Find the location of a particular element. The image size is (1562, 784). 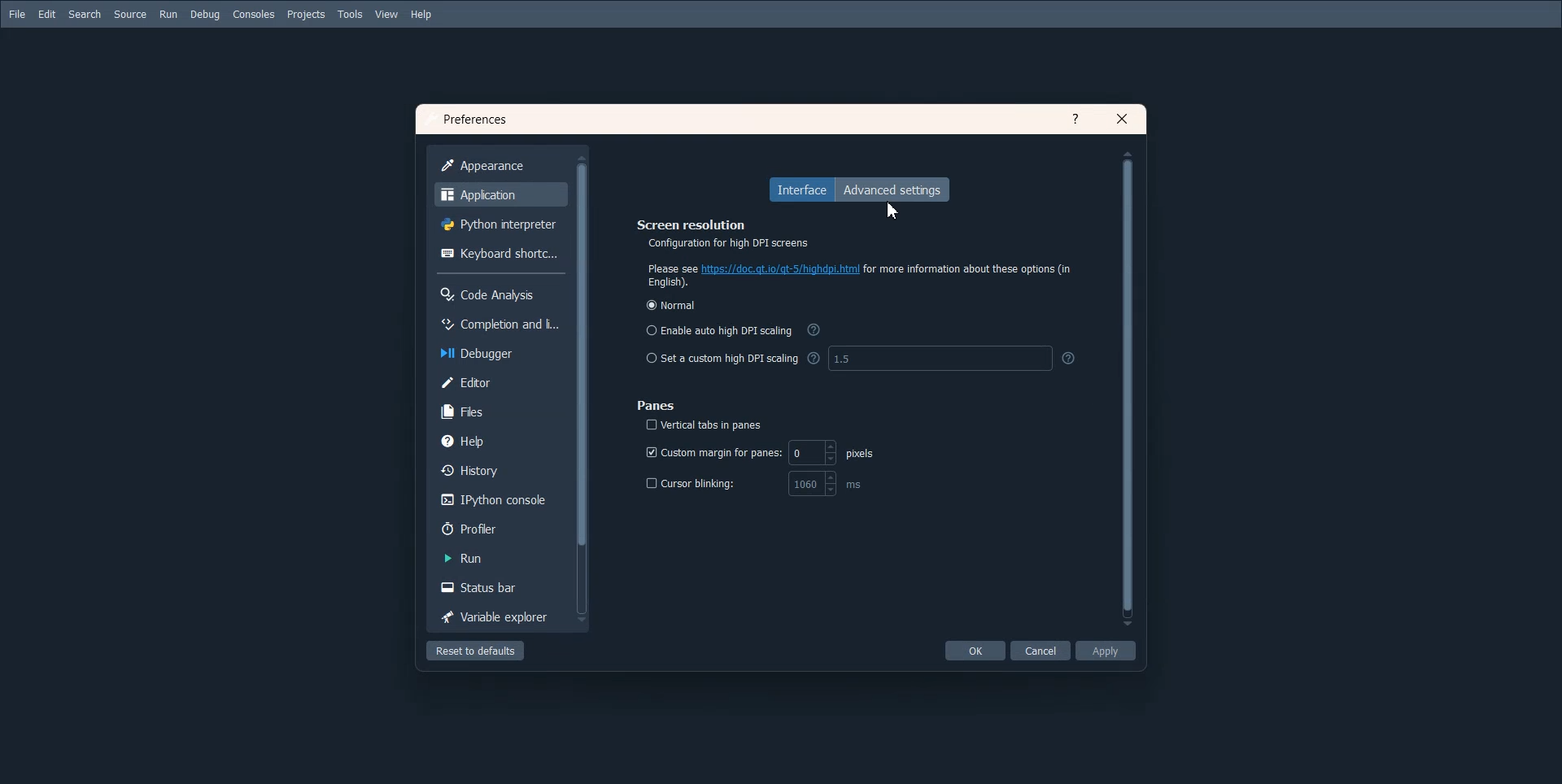

Tools  is located at coordinates (350, 14).